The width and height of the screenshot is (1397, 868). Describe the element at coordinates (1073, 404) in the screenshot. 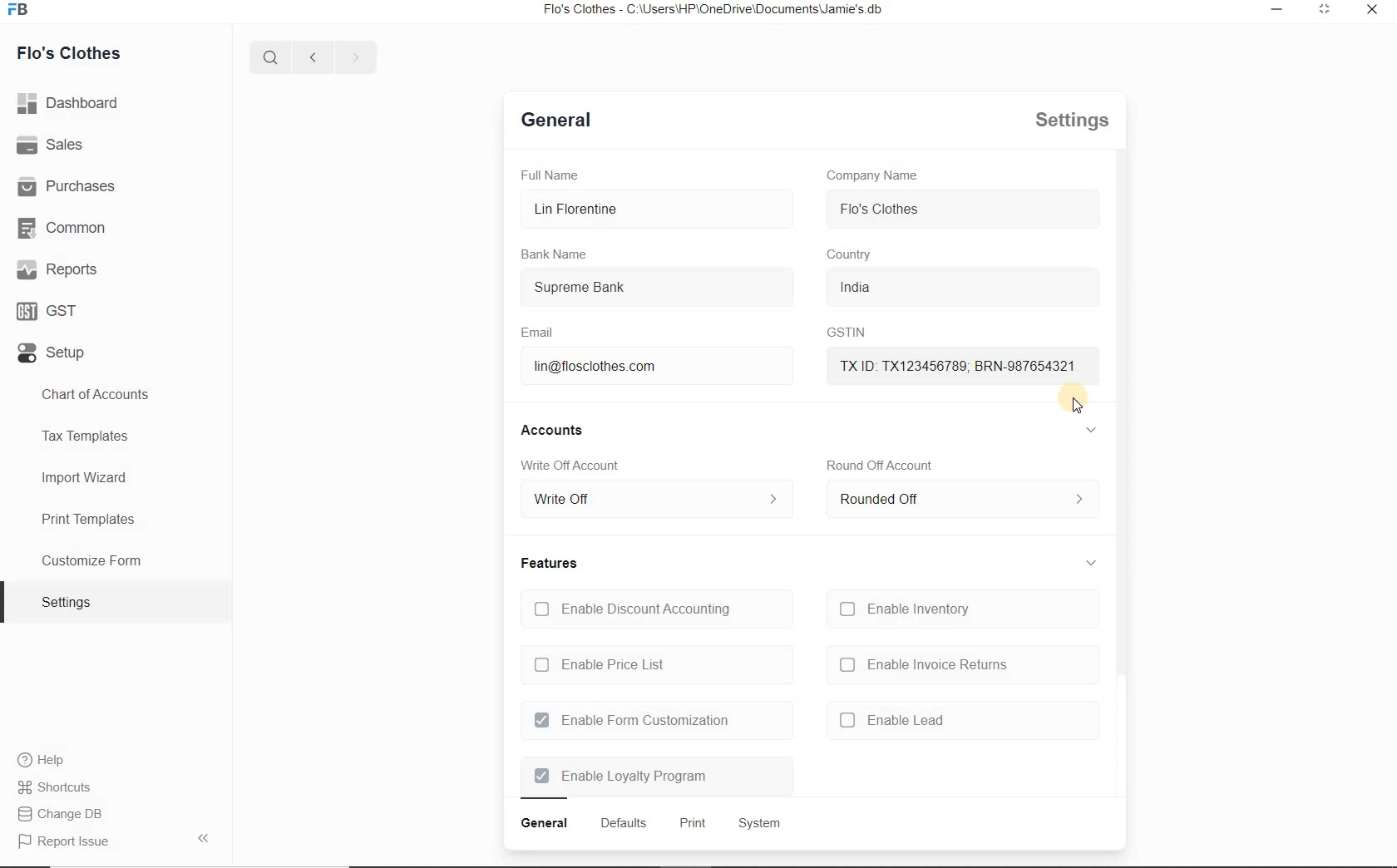

I see `mouse pointer` at that location.